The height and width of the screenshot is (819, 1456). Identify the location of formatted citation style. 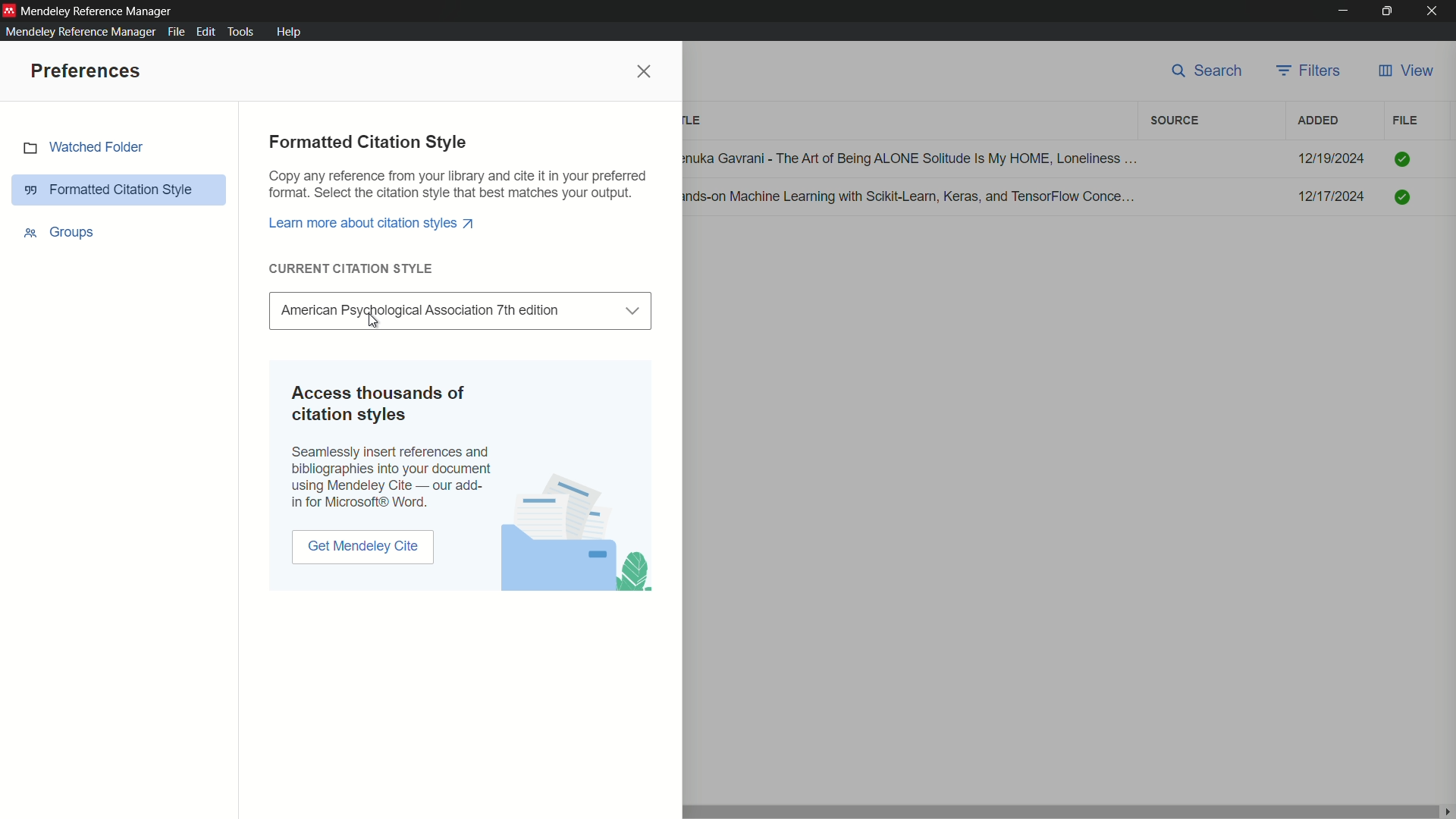
(122, 190).